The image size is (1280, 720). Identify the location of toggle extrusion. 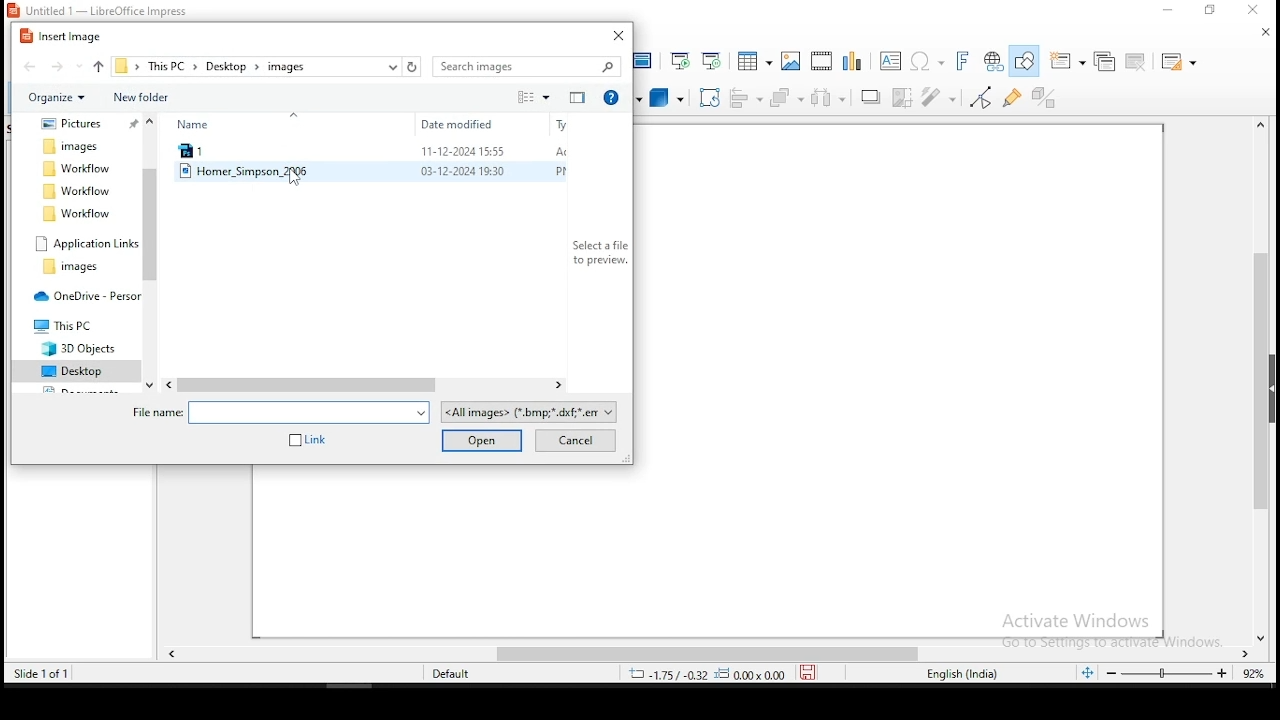
(1045, 99).